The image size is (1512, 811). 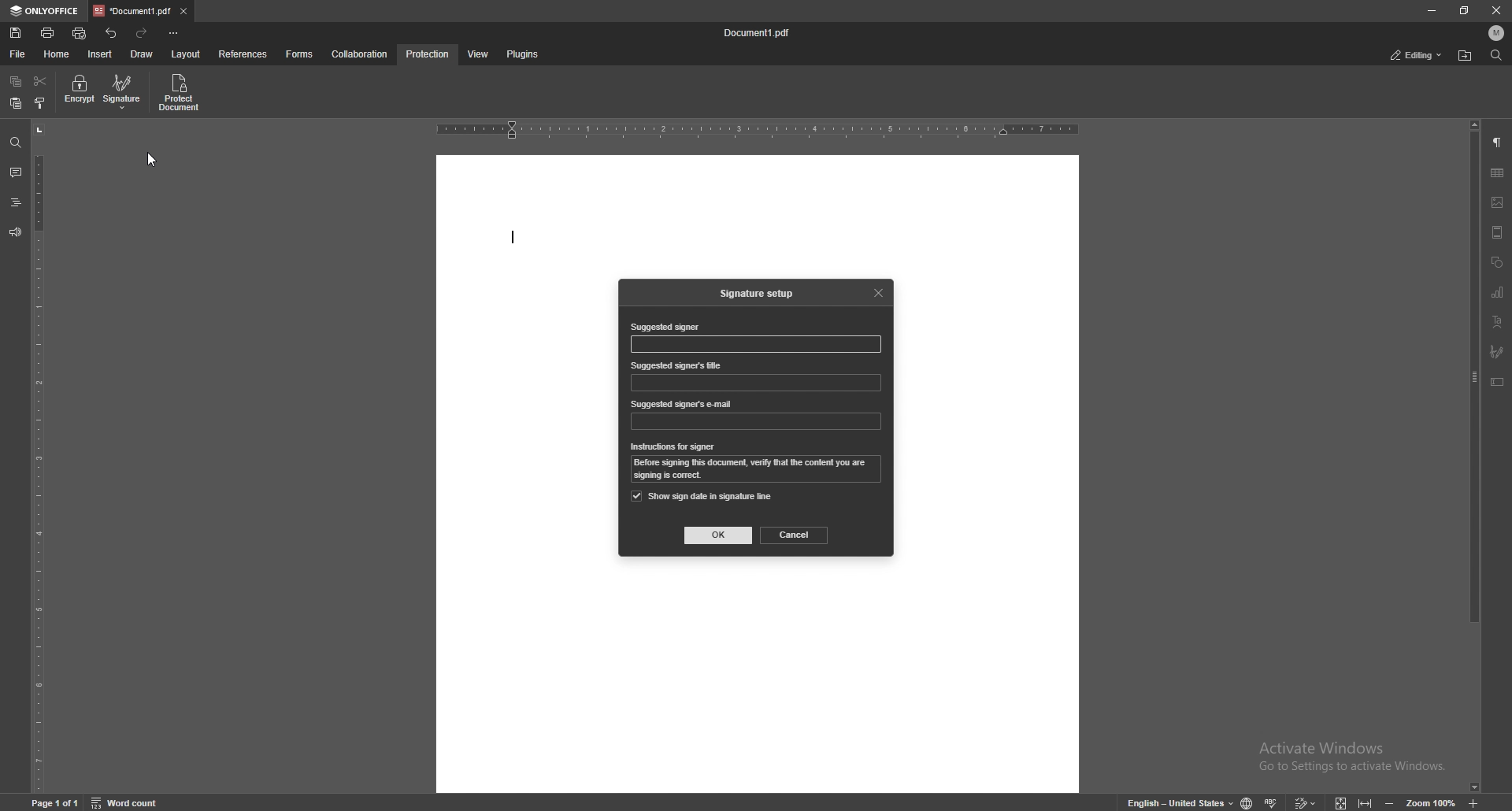 I want to click on image, so click(x=1498, y=202).